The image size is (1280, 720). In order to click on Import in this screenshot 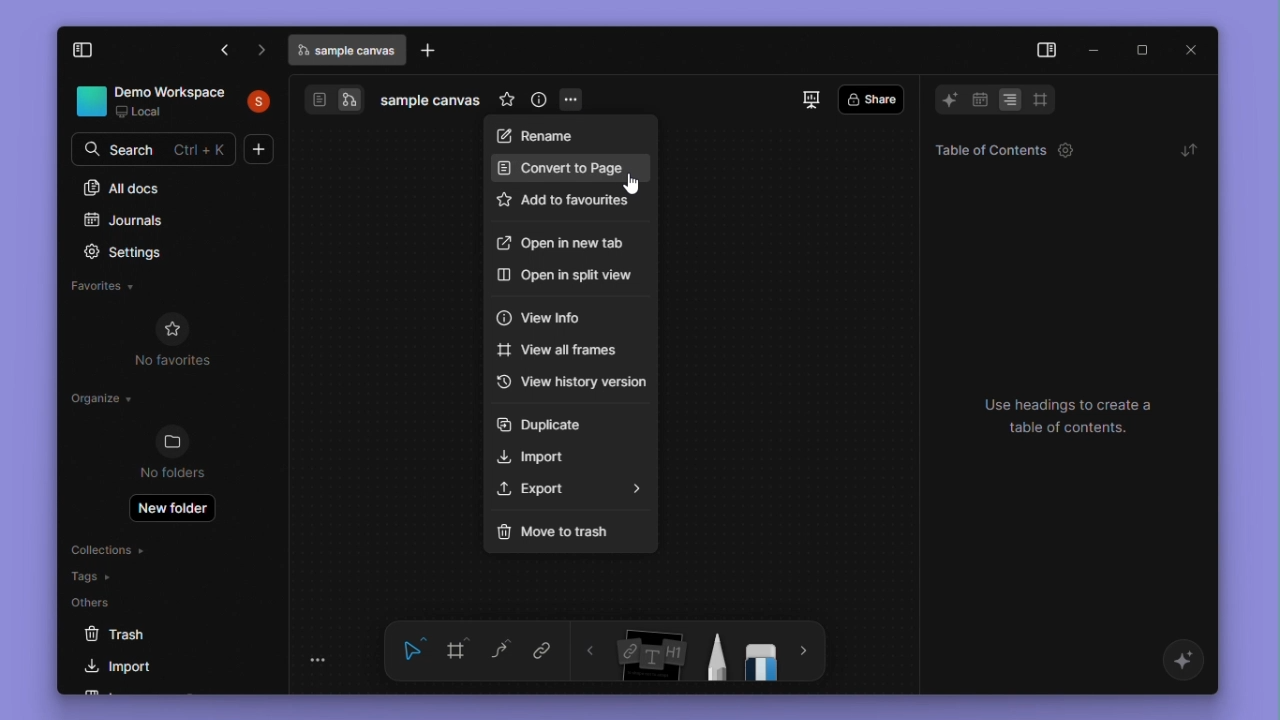, I will do `click(538, 455)`.